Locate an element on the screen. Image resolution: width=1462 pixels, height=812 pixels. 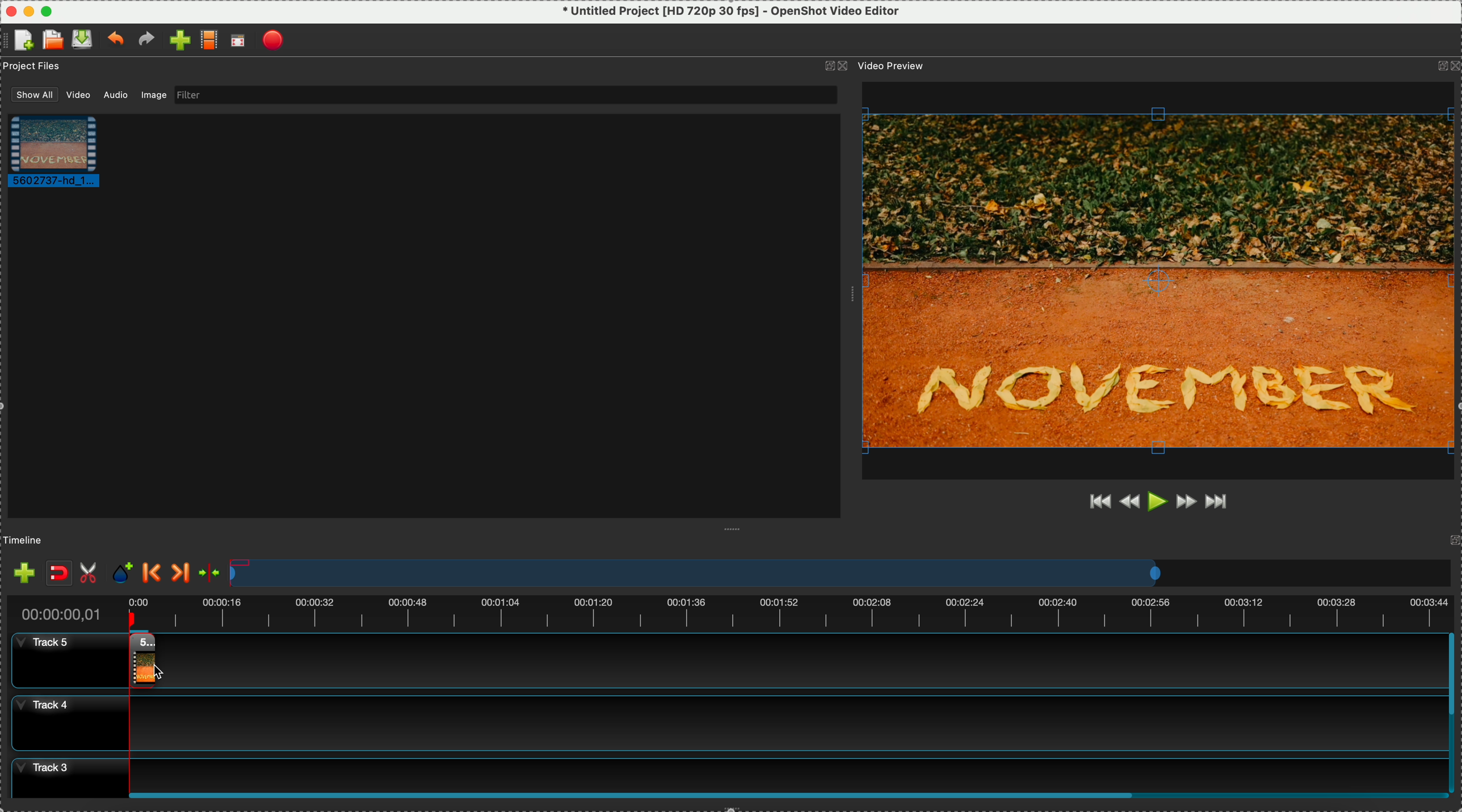
enable razor is located at coordinates (91, 571).